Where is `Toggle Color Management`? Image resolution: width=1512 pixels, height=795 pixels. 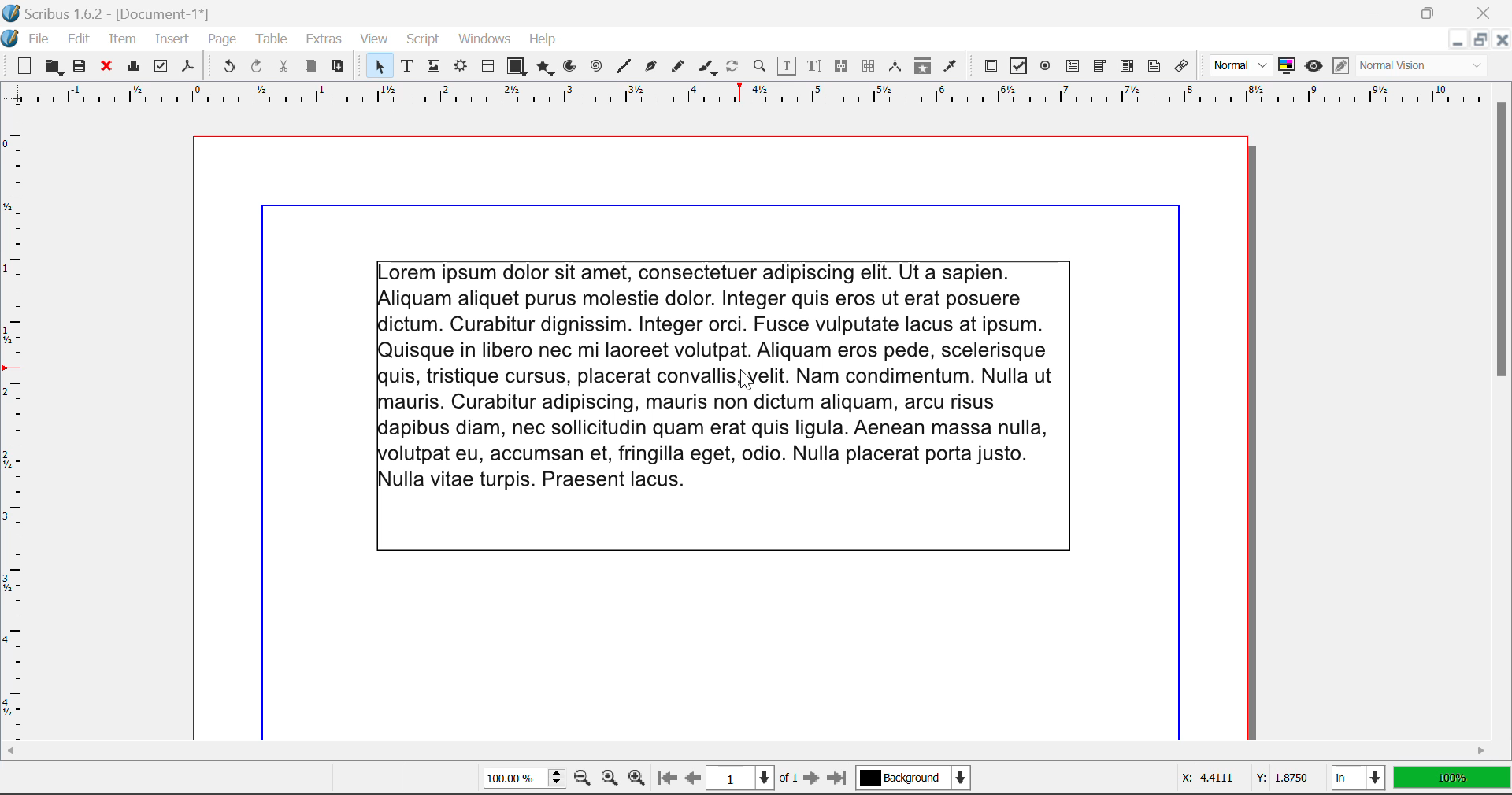 Toggle Color Management is located at coordinates (1287, 66).